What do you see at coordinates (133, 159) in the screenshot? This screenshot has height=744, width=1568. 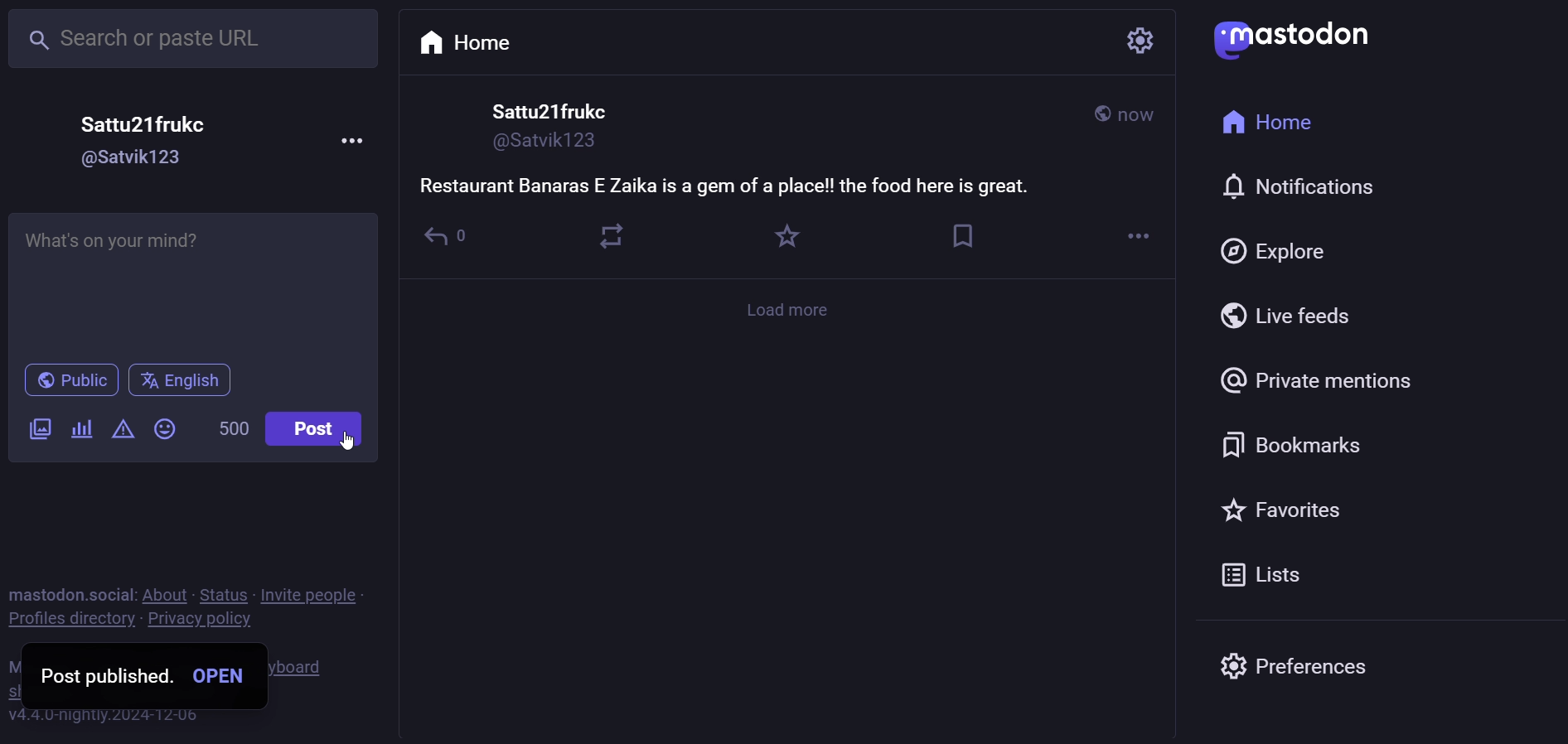 I see `id` at bounding box center [133, 159].